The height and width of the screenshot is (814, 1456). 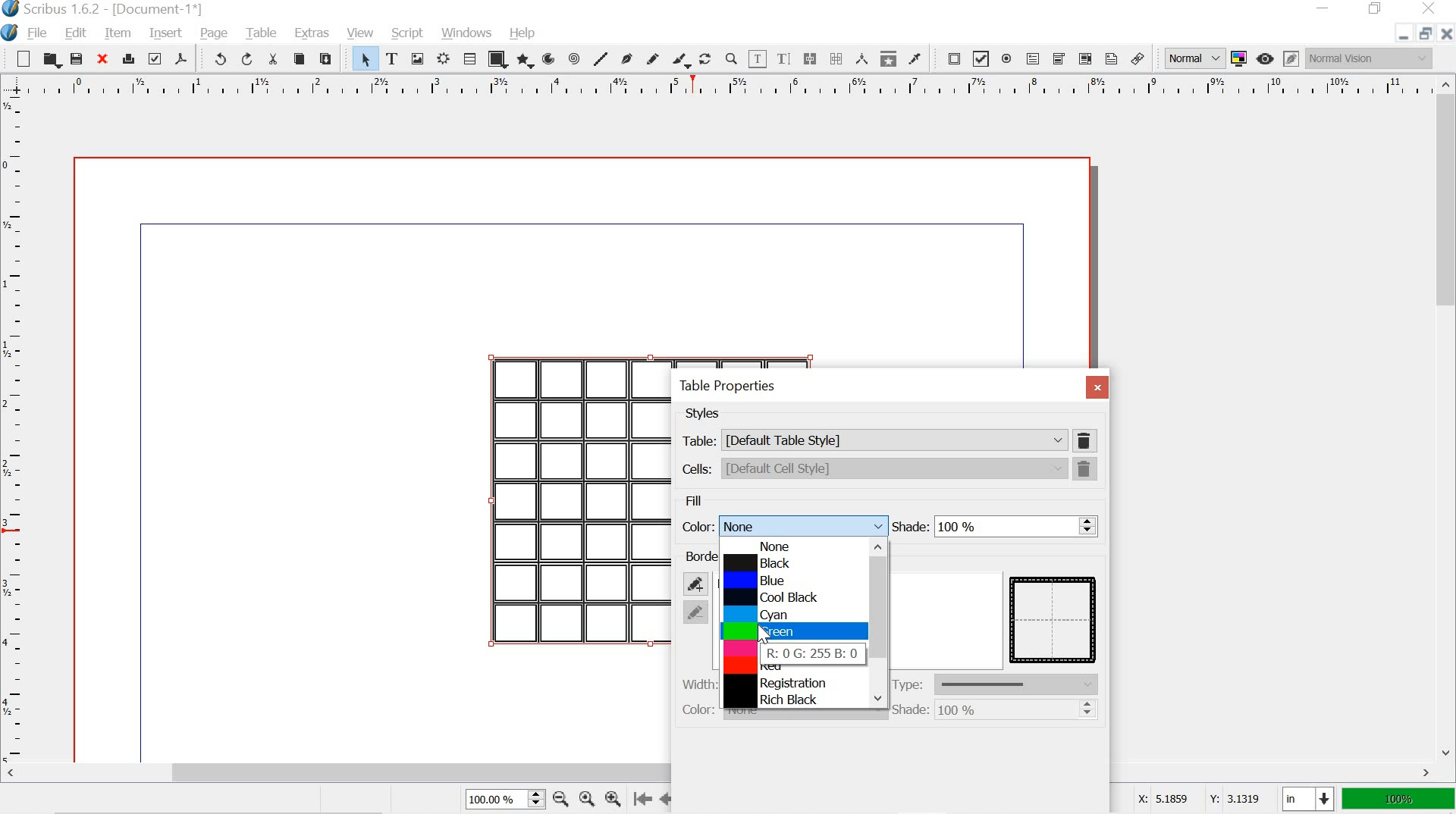 What do you see at coordinates (77, 33) in the screenshot?
I see `edit` at bounding box center [77, 33].